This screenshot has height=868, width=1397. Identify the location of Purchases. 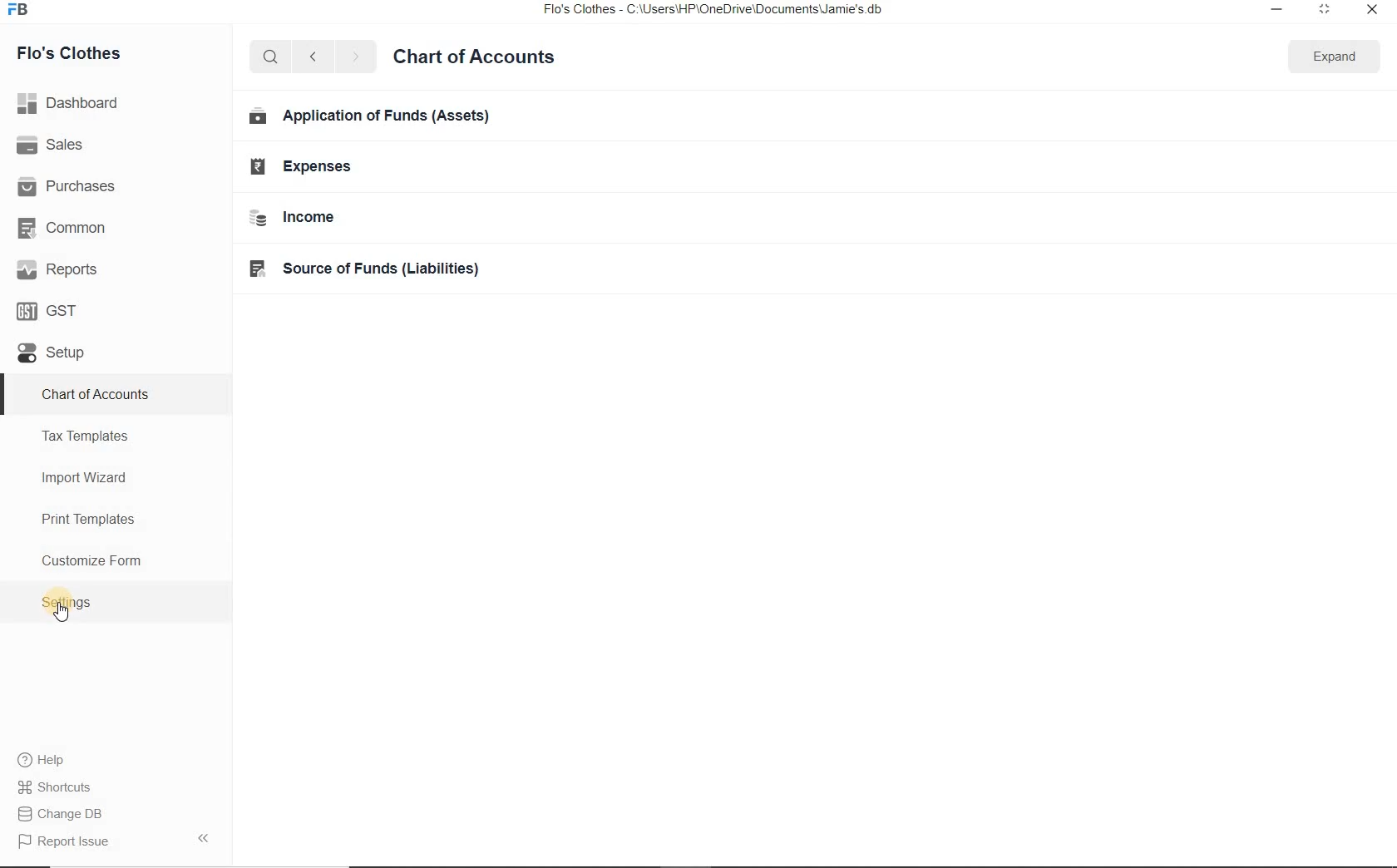
(75, 187).